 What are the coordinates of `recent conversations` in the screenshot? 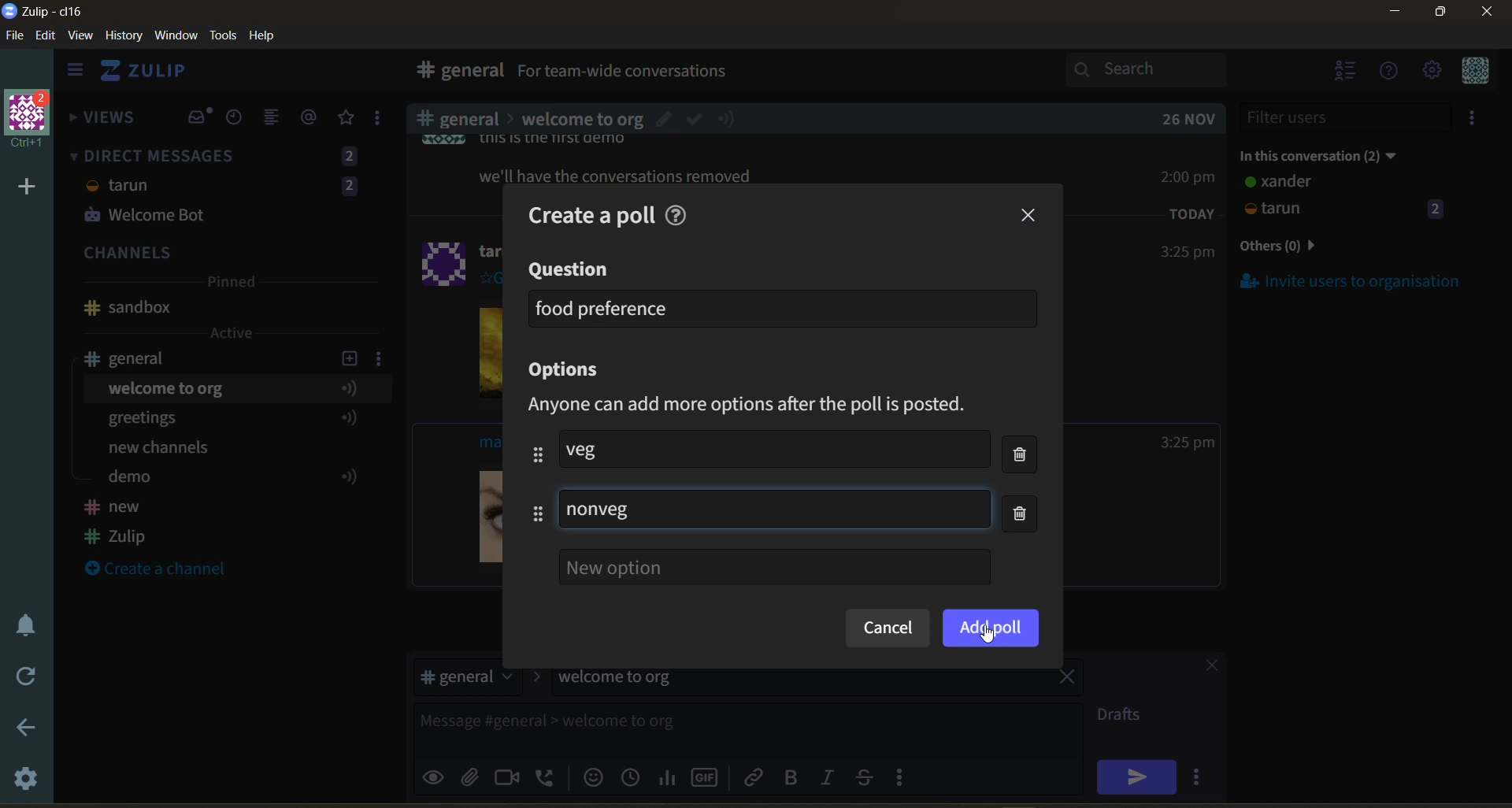 It's located at (239, 119).